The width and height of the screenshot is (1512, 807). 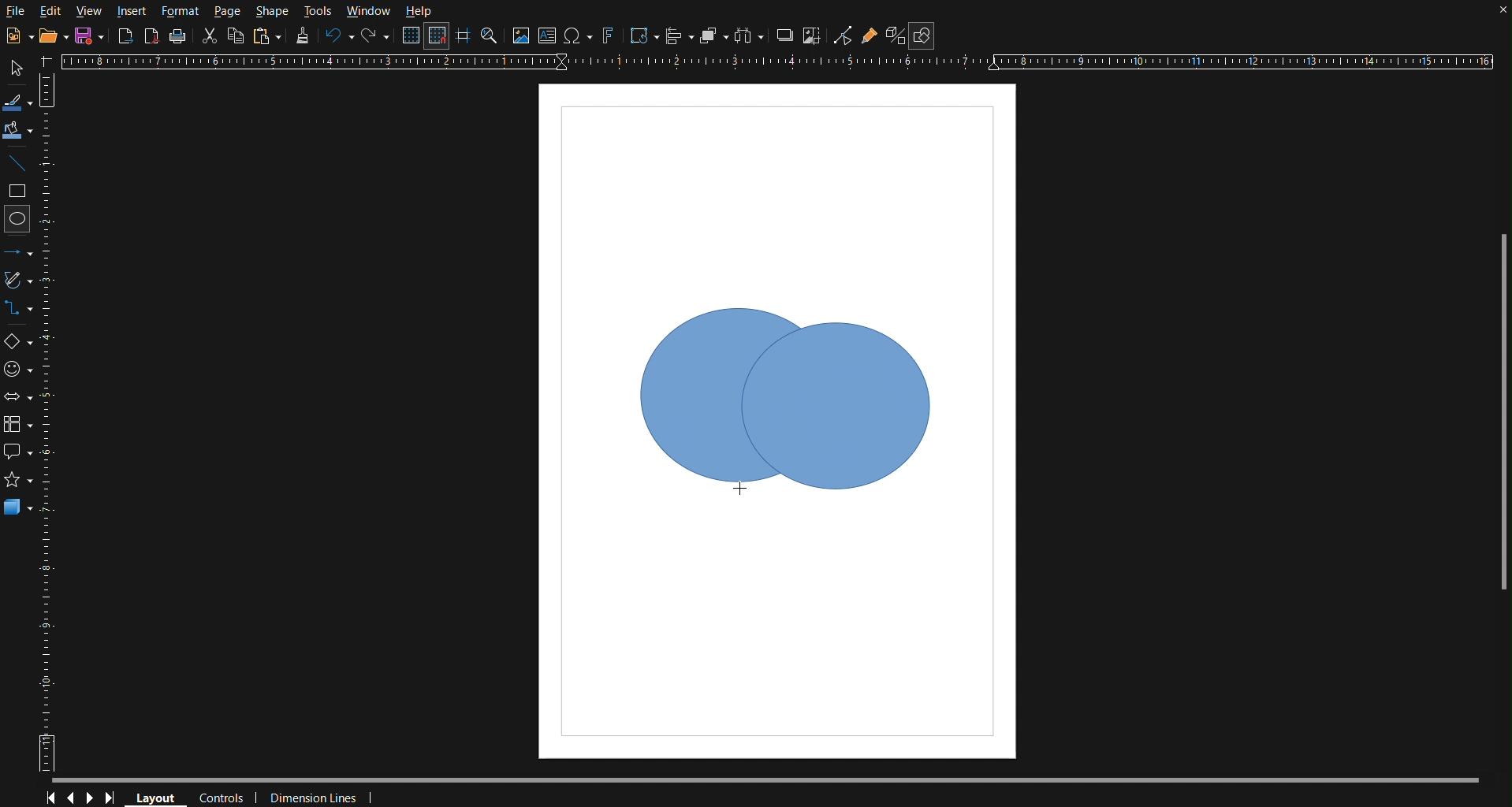 What do you see at coordinates (684, 391) in the screenshot?
I see `Shape Box` at bounding box center [684, 391].